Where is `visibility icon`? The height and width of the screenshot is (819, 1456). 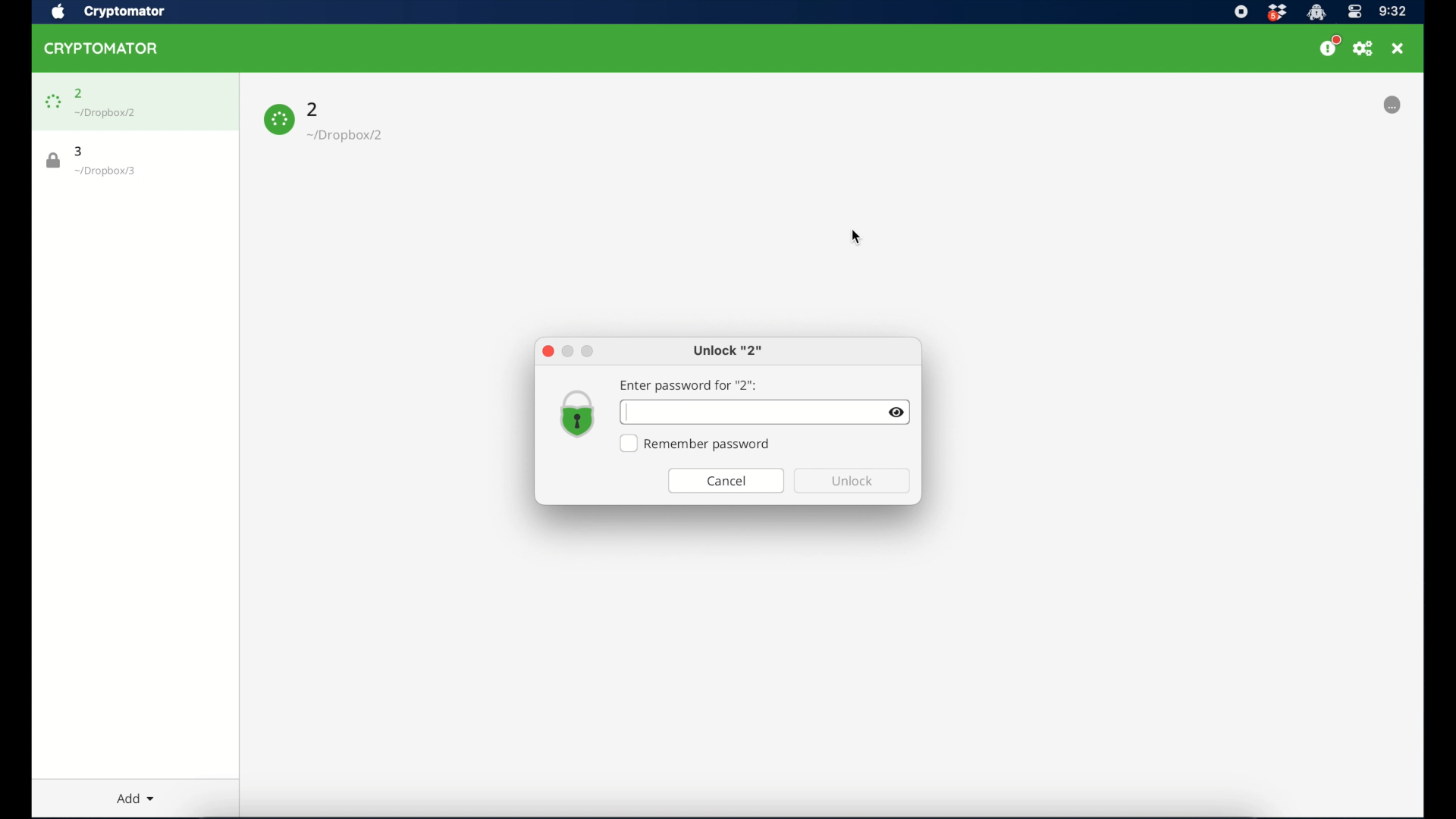 visibility icon is located at coordinates (897, 413).